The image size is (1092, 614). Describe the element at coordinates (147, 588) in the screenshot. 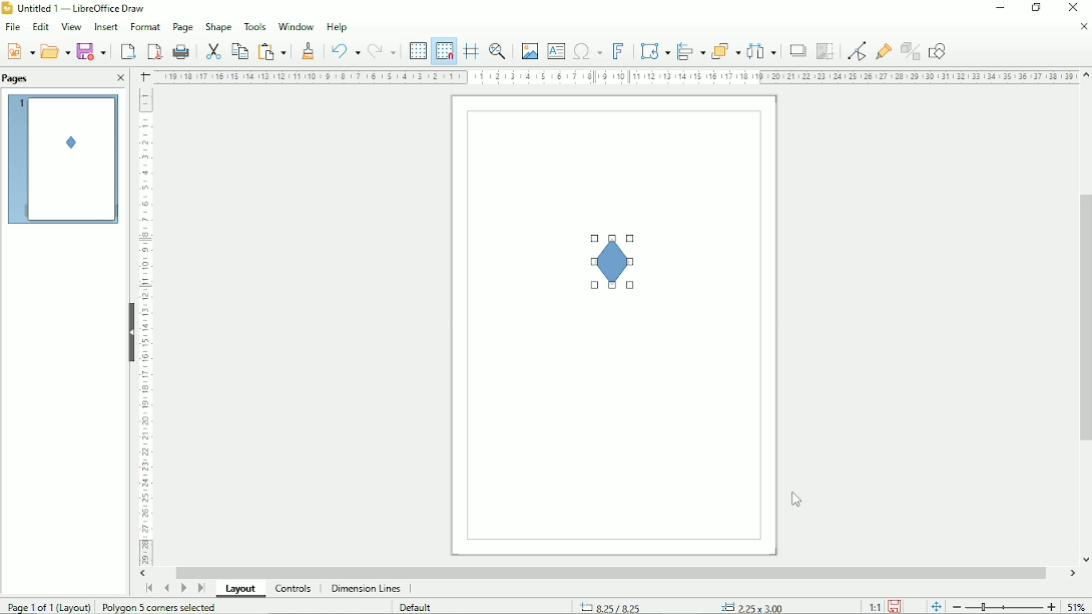

I see `Scroll to first page` at that location.